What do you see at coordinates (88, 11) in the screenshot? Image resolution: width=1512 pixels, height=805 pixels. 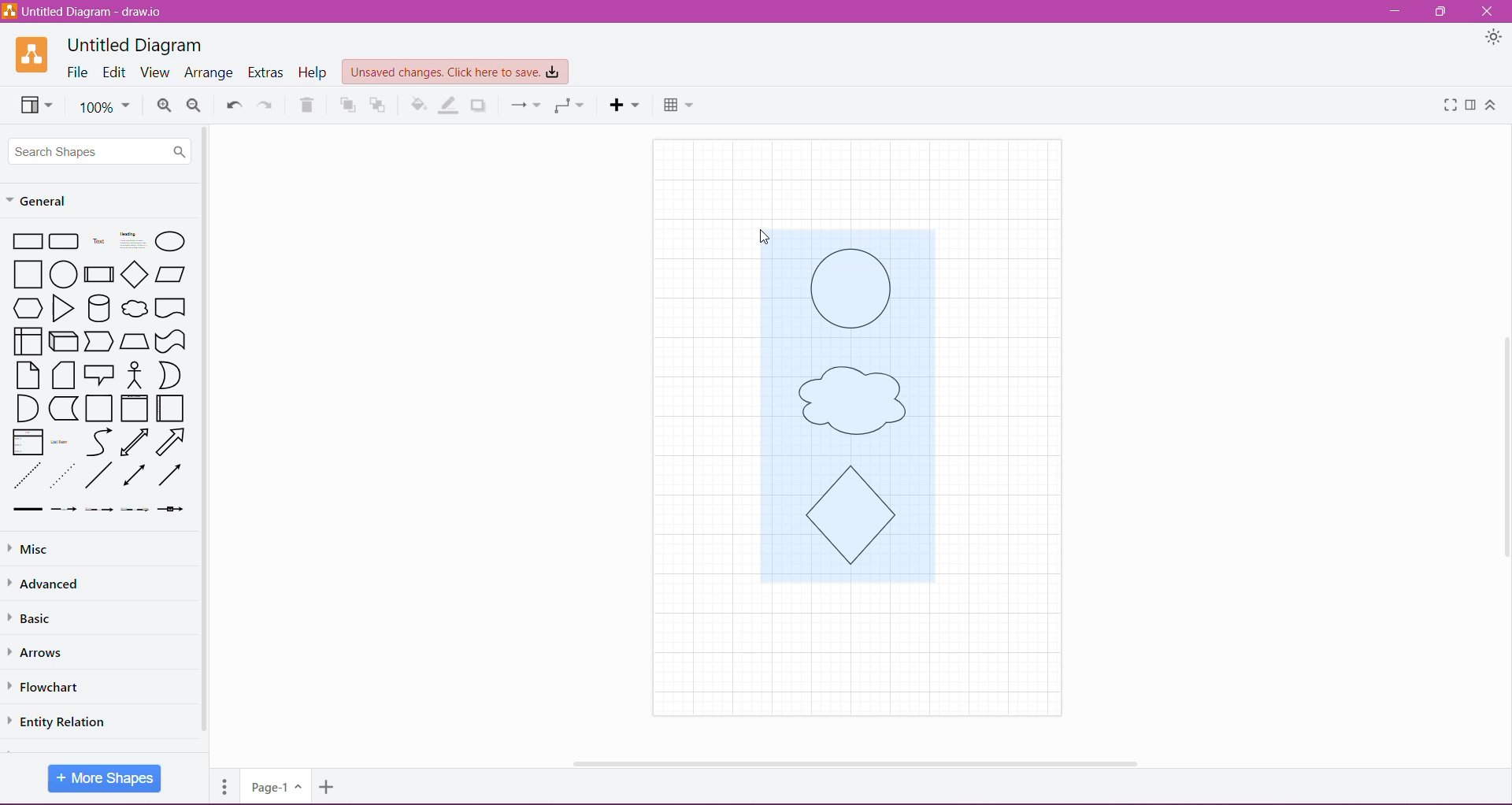 I see `Untitled Diagram - draw.io` at bounding box center [88, 11].